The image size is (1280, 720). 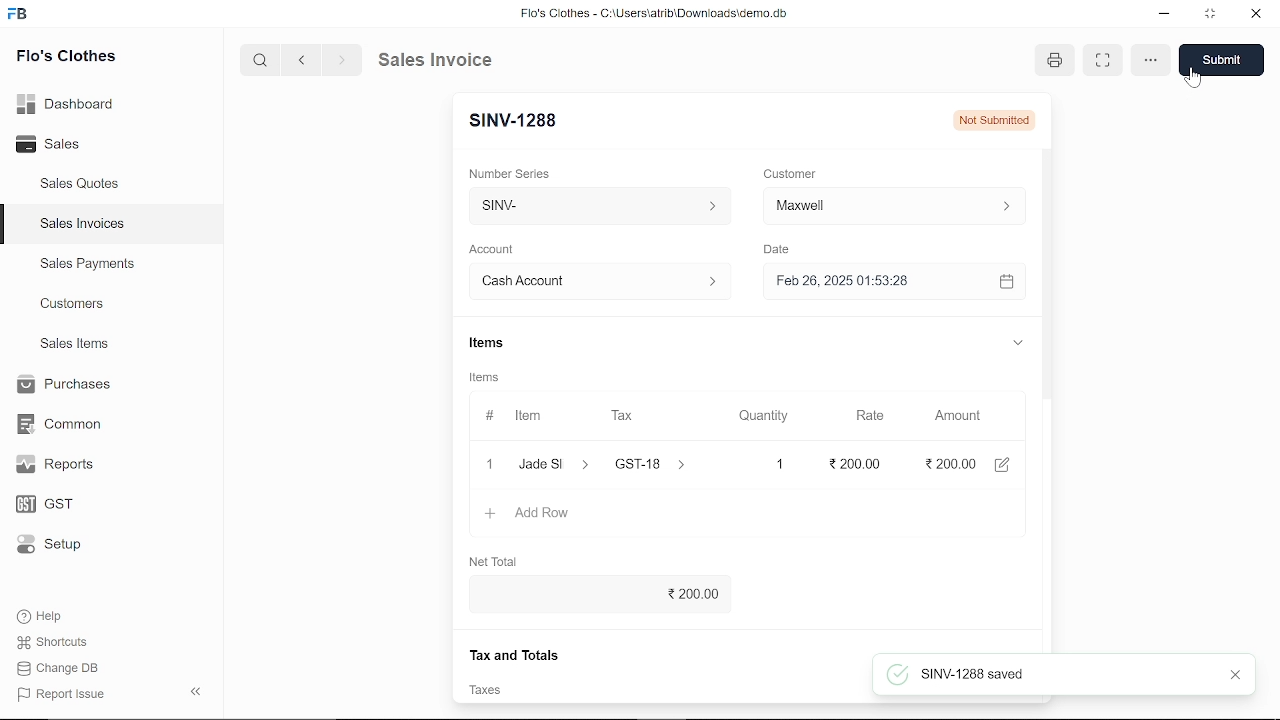 I want to click on , so click(x=487, y=379).